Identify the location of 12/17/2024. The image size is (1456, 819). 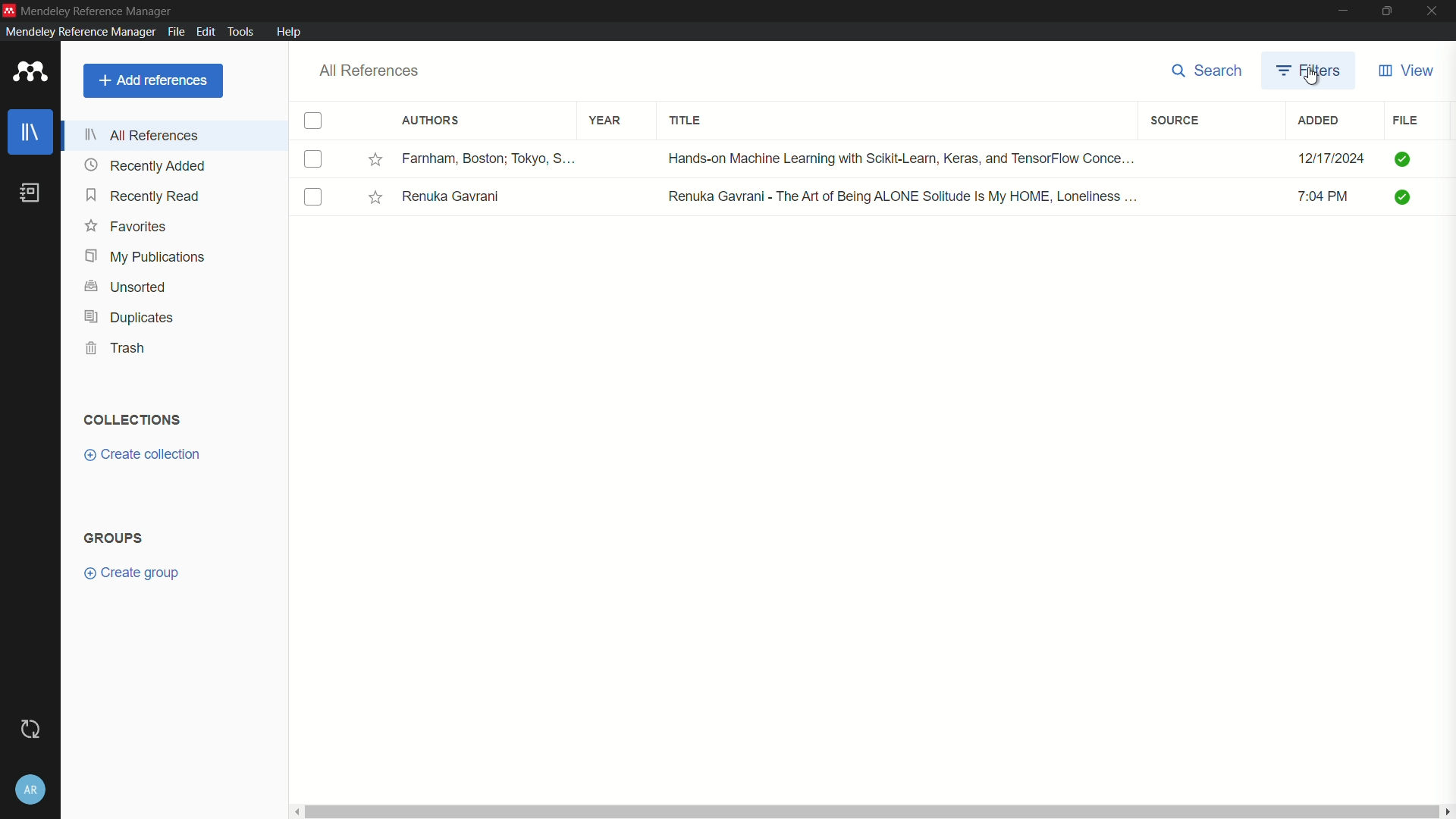
(1336, 158).